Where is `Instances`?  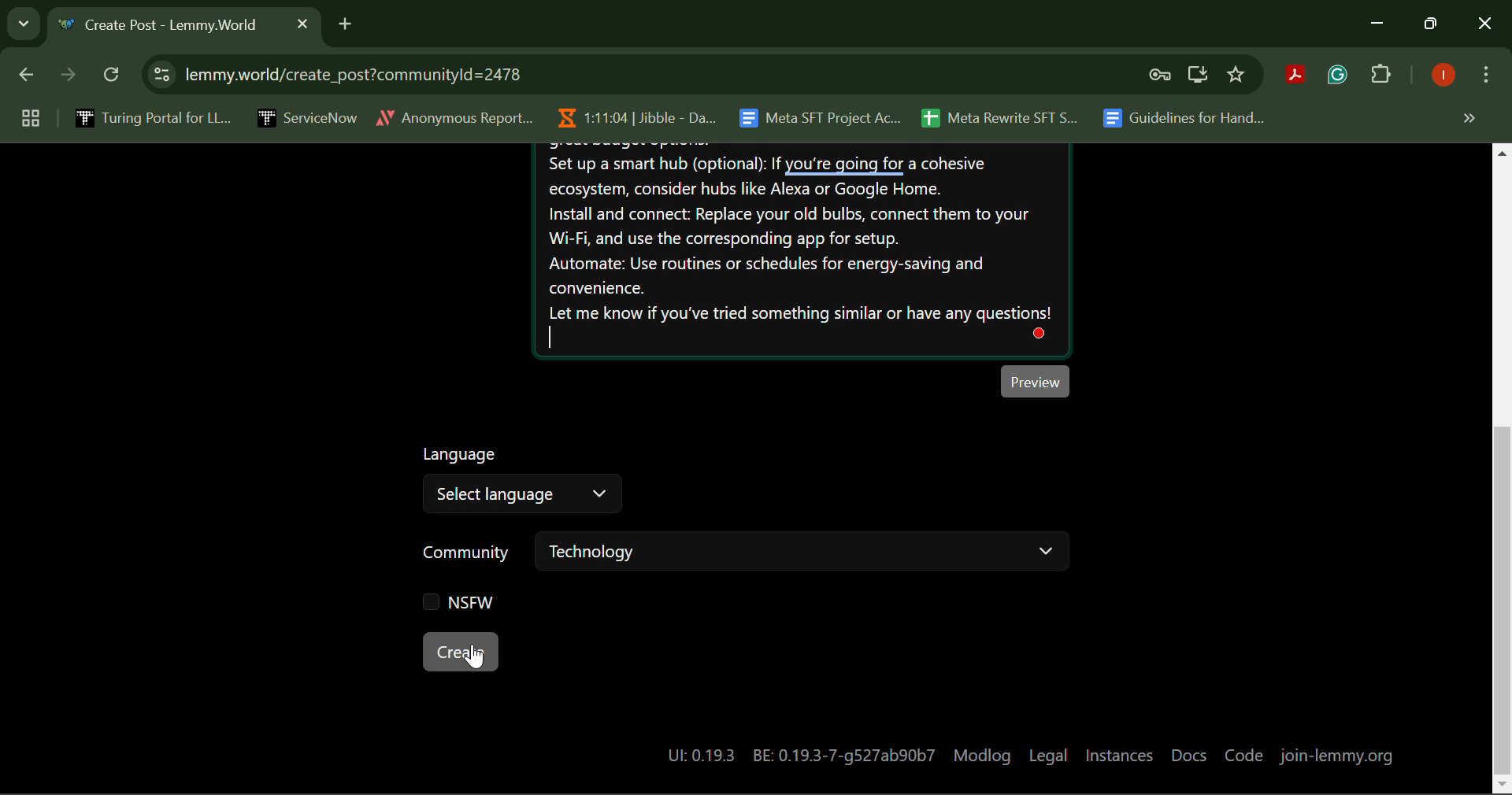 Instances is located at coordinates (1120, 750).